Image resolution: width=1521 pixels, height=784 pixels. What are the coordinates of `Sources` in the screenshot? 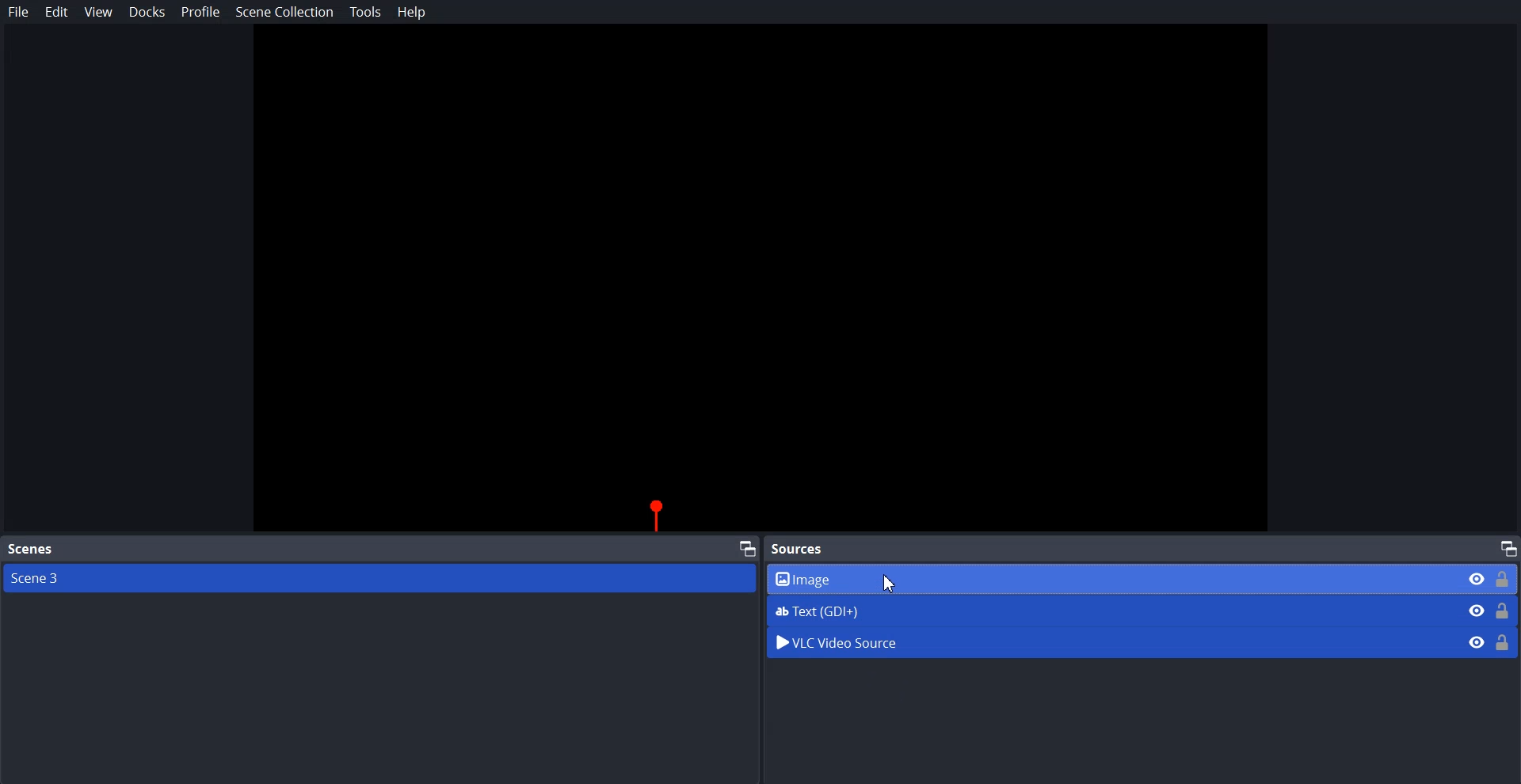 It's located at (802, 548).